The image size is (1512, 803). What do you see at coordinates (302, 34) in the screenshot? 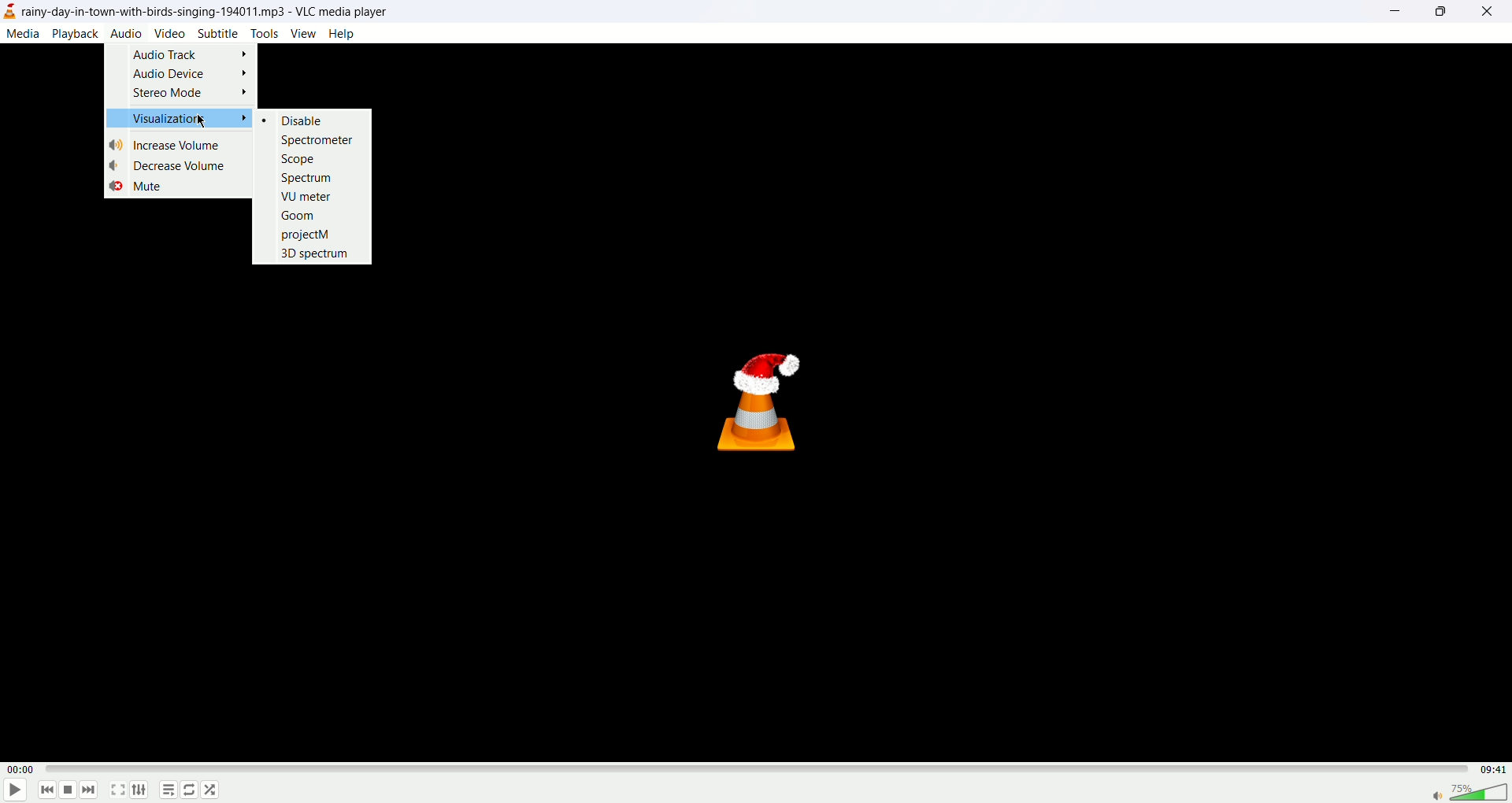
I see `view` at bounding box center [302, 34].